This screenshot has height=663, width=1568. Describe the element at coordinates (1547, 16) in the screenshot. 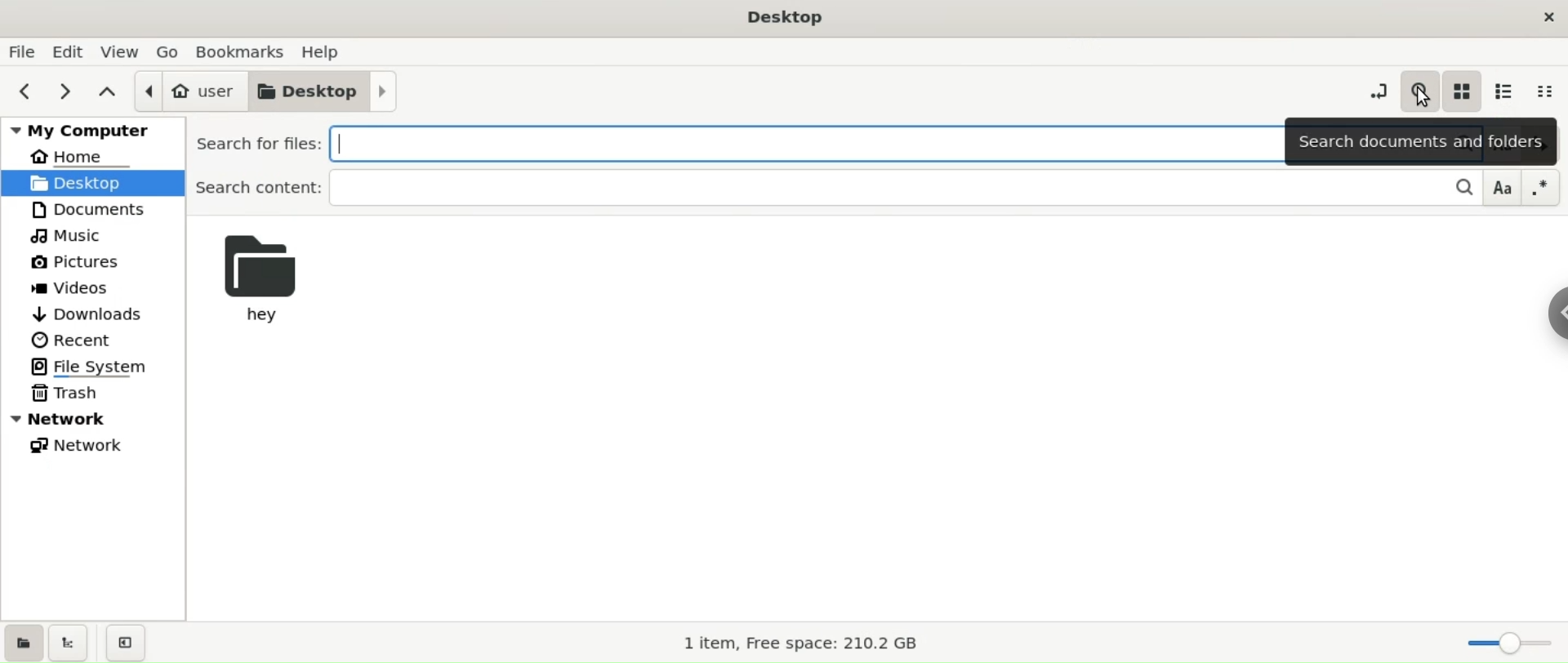

I see `close` at that location.